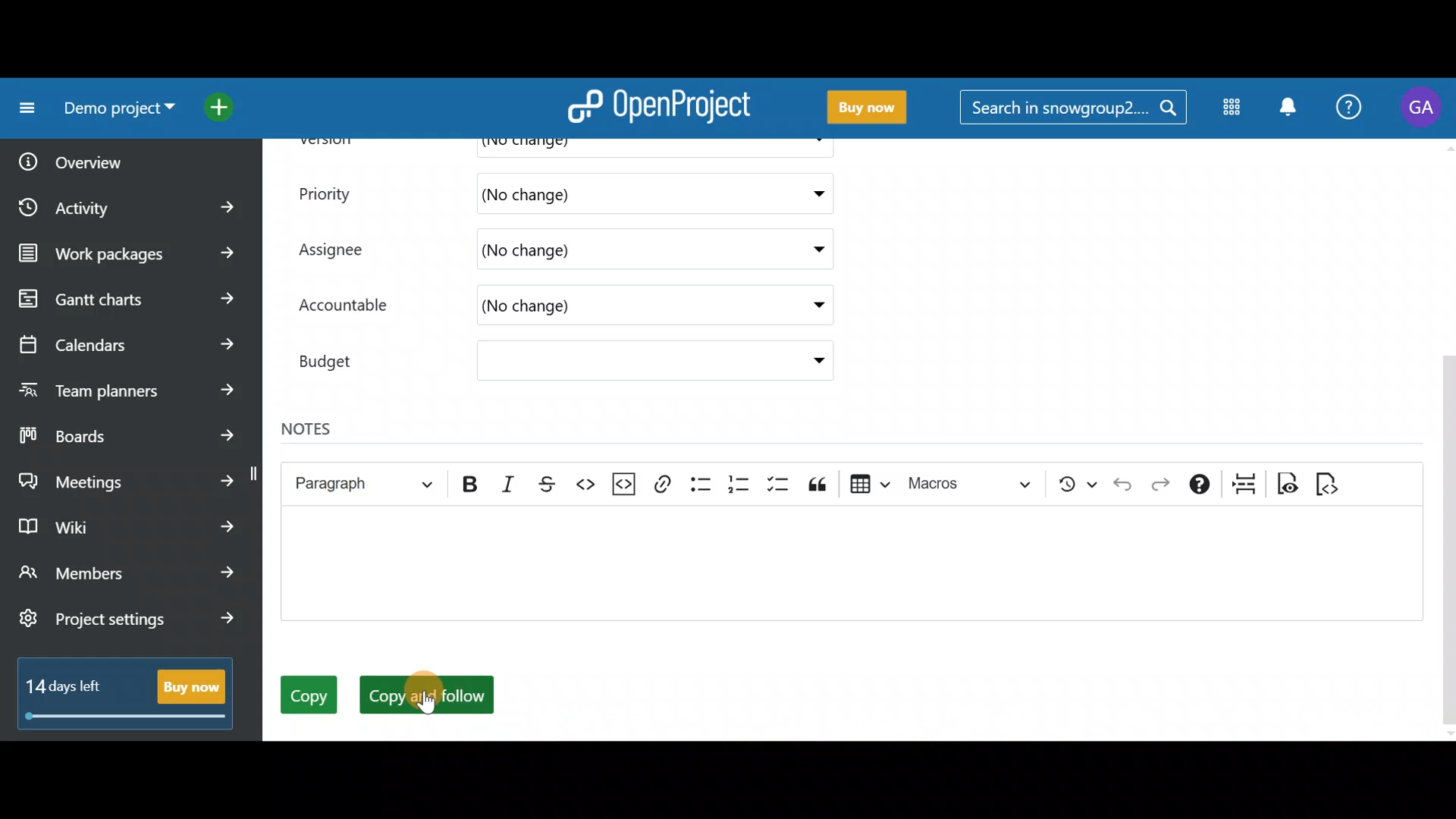  I want to click on Insert table, so click(868, 483).